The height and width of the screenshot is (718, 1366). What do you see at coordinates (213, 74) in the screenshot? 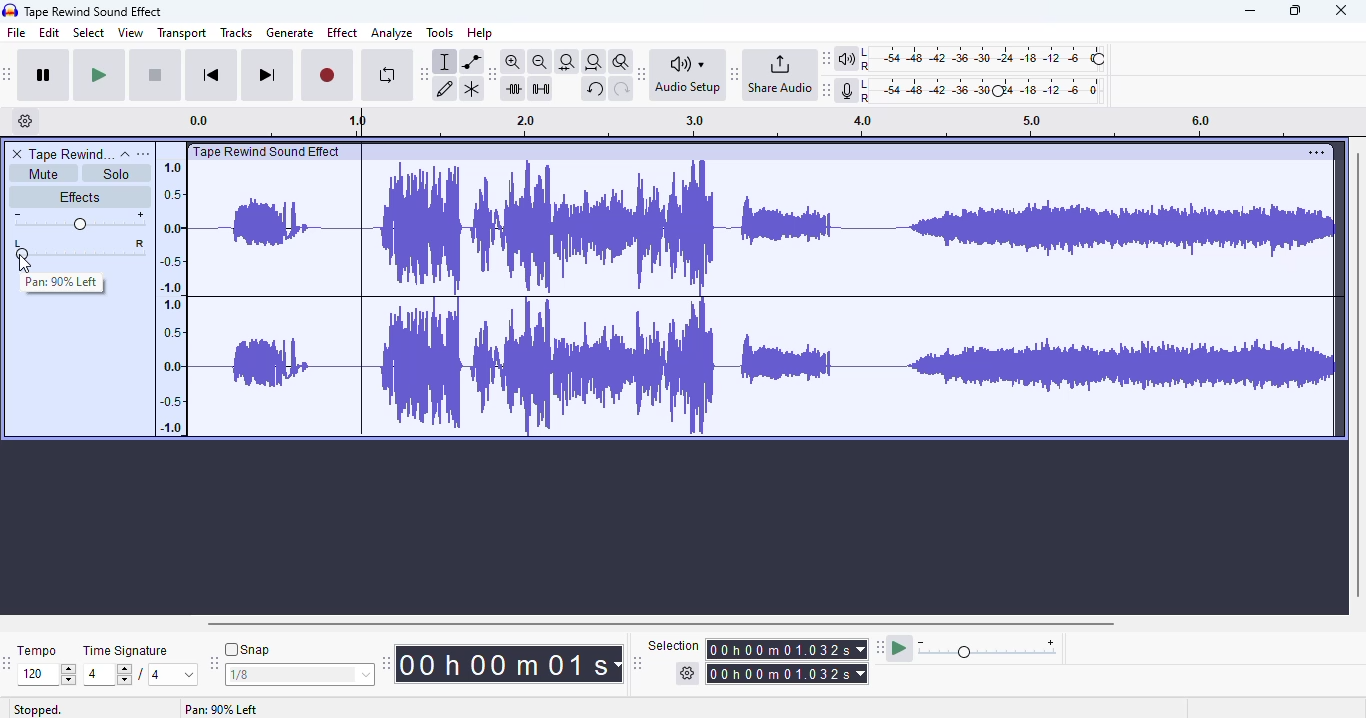
I see `skip to start` at bounding box center [213, 74].